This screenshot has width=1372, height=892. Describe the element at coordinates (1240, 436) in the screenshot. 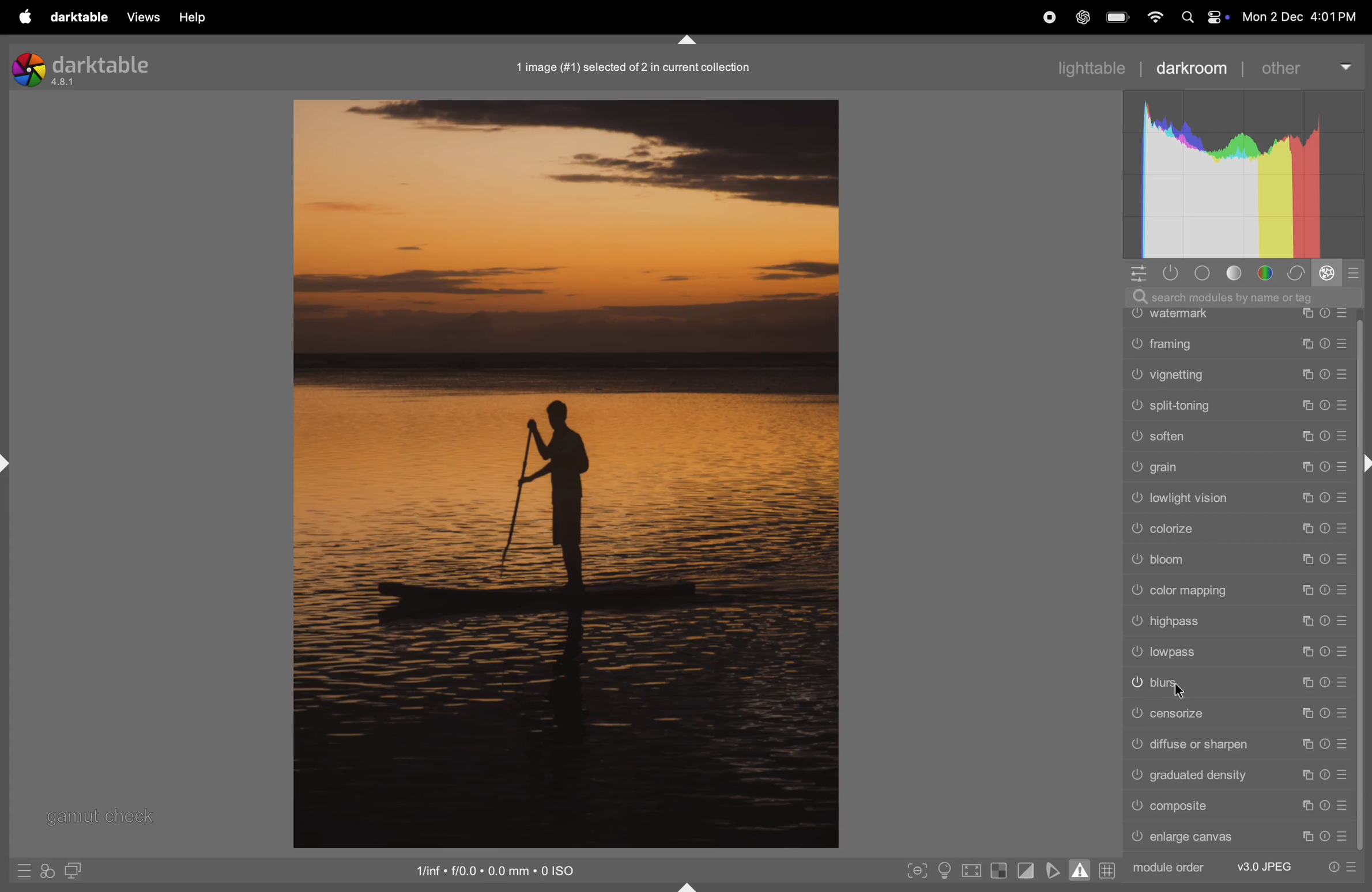

I see `soften` at that location.